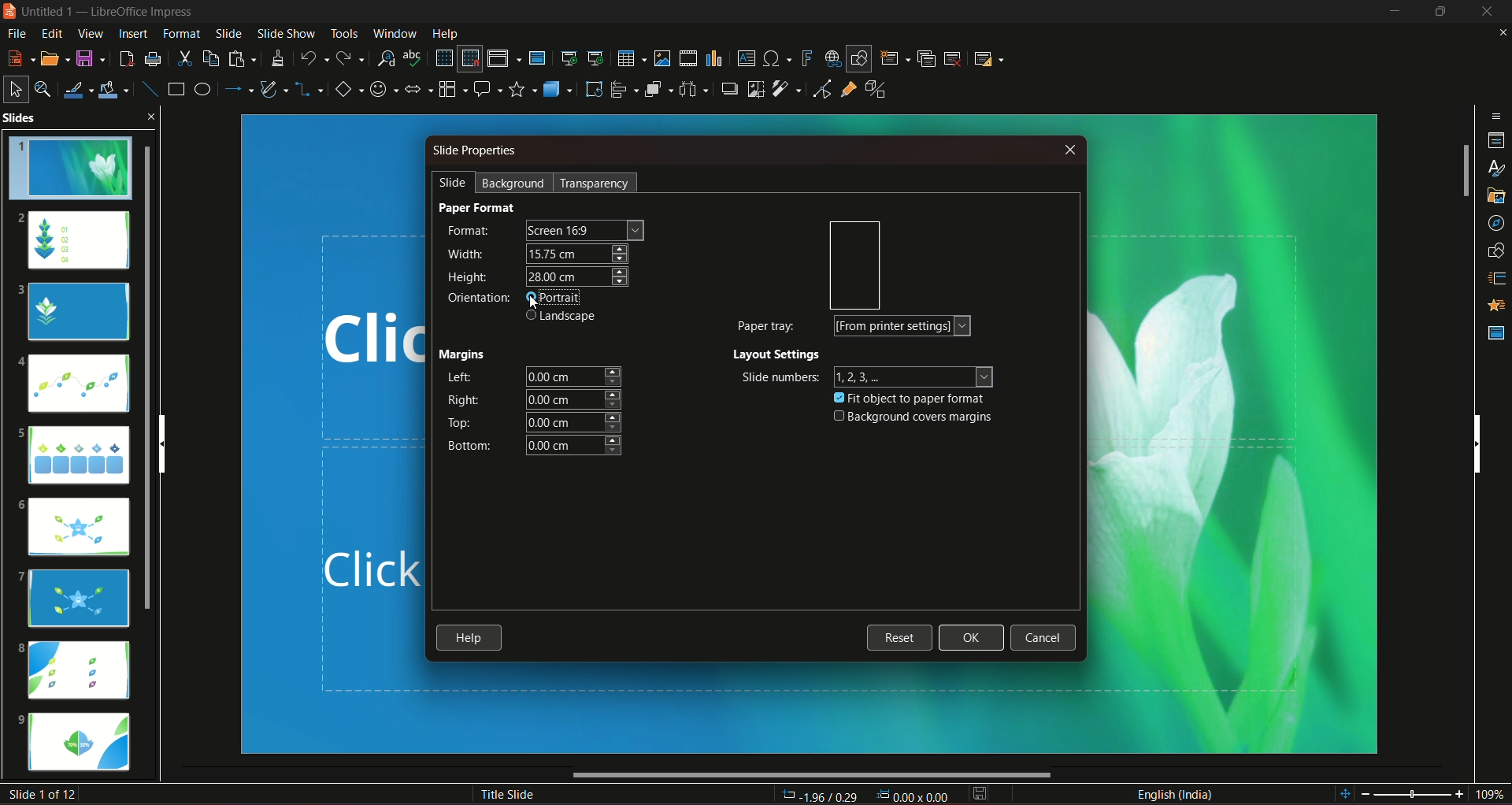 Image resolution: width=1512 pixels, height=805 pixels. Describe the element at coordinates (1477, 442) in the screenshot. I see `vertical scrollbar` at that location.